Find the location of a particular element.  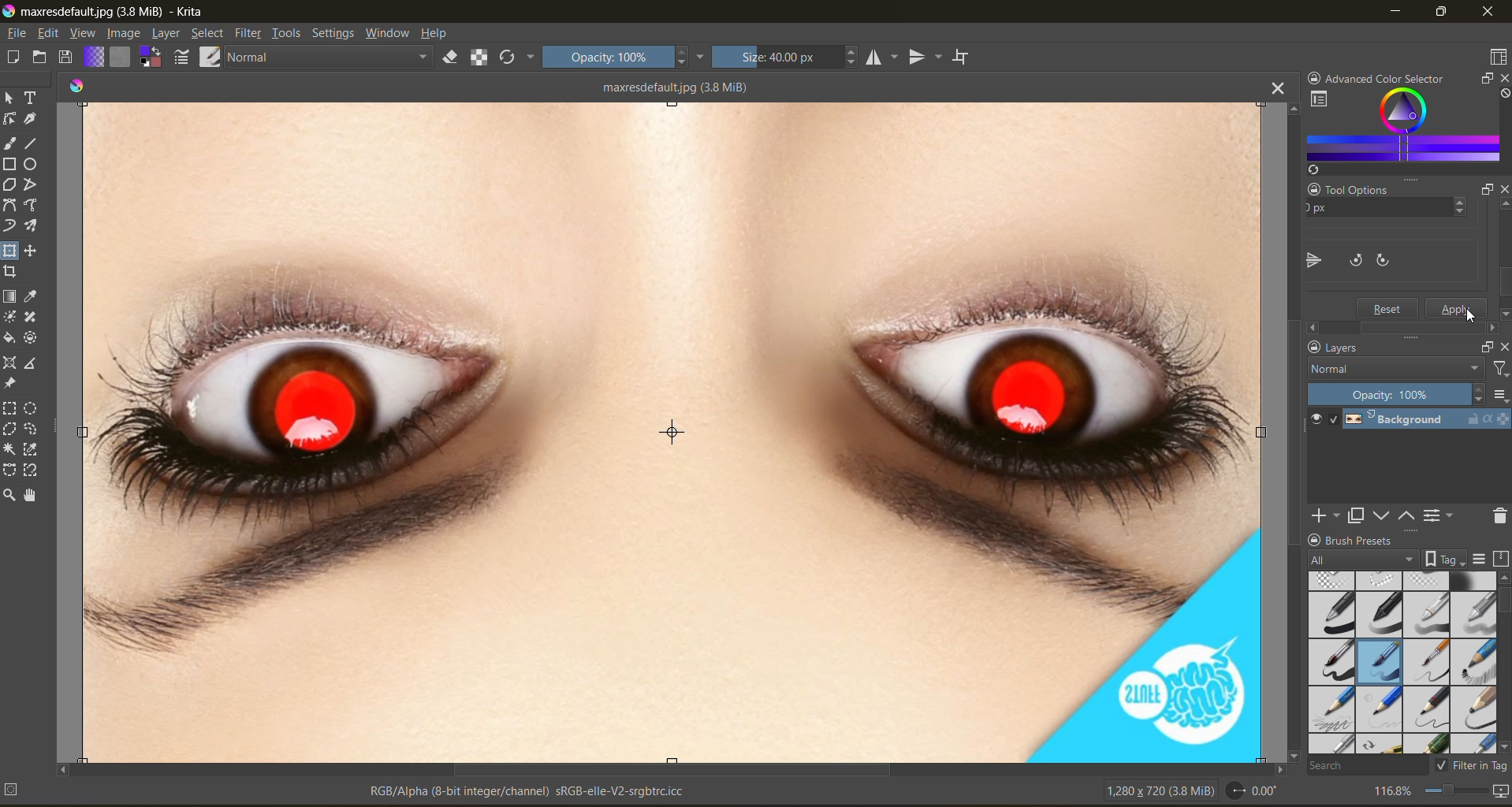

options is located at coordinates (1499, 395).